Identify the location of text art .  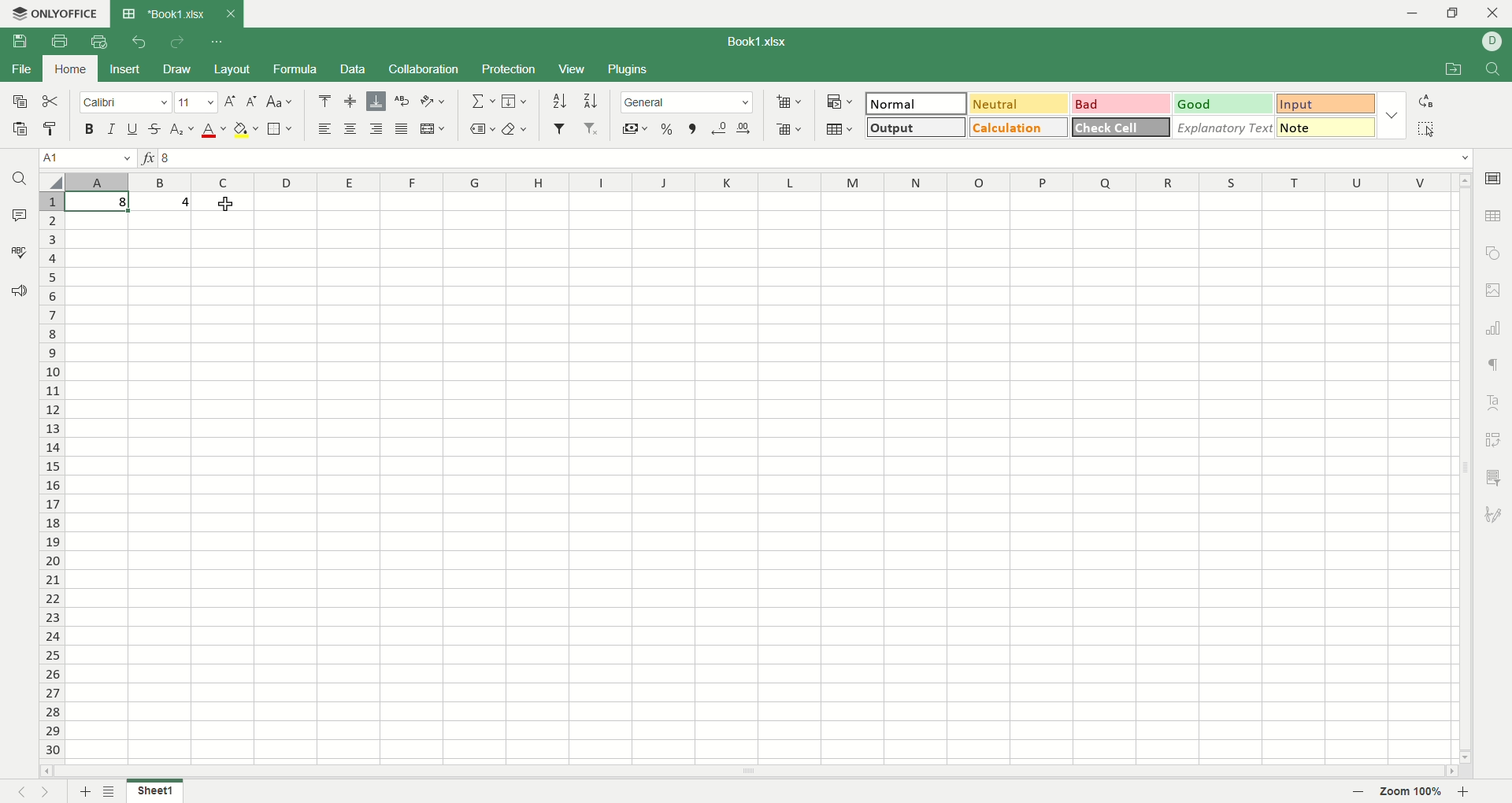
(1495, 404).